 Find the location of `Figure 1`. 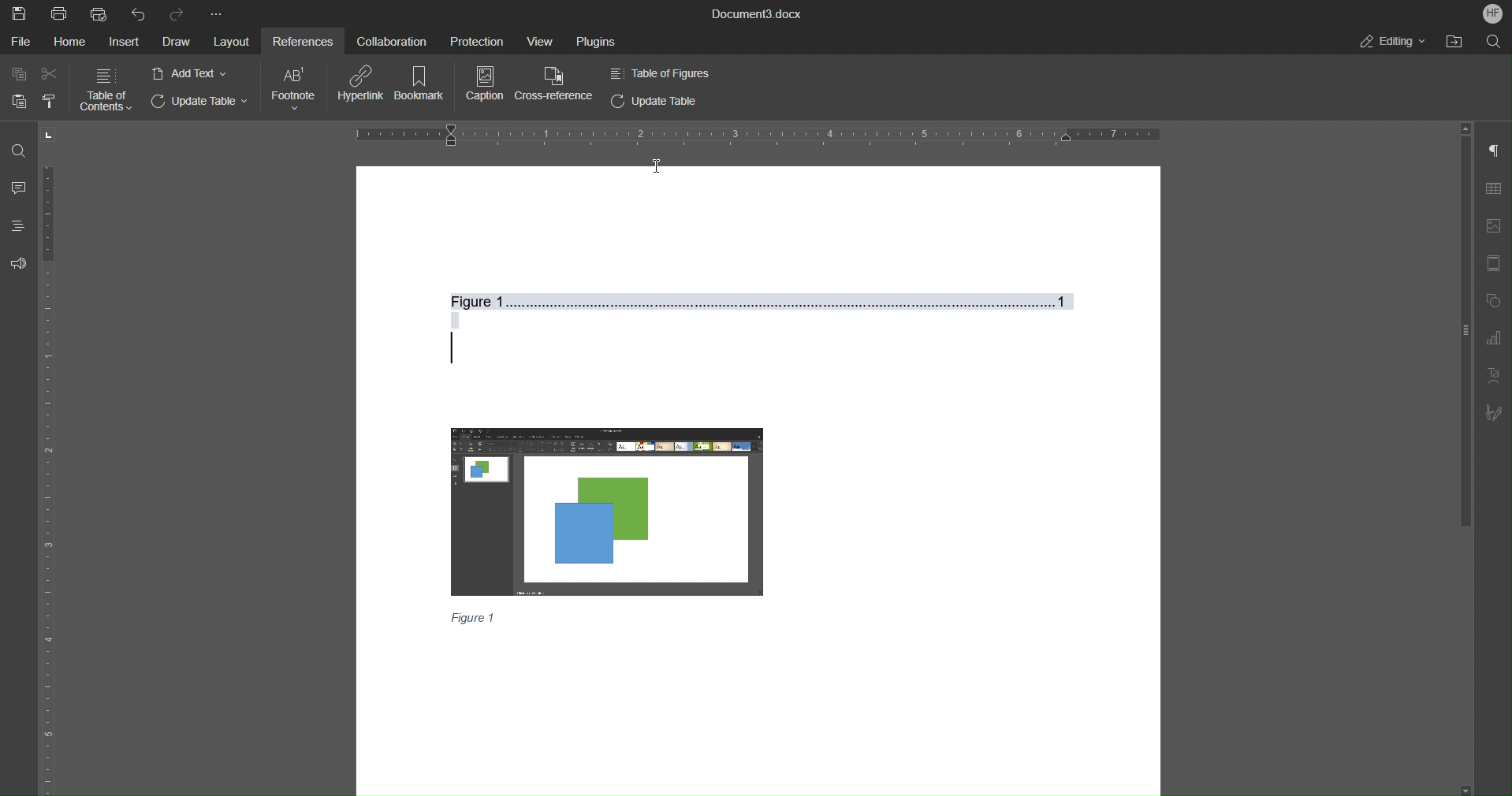

Figure 1 is located at coordinates (758, 302).